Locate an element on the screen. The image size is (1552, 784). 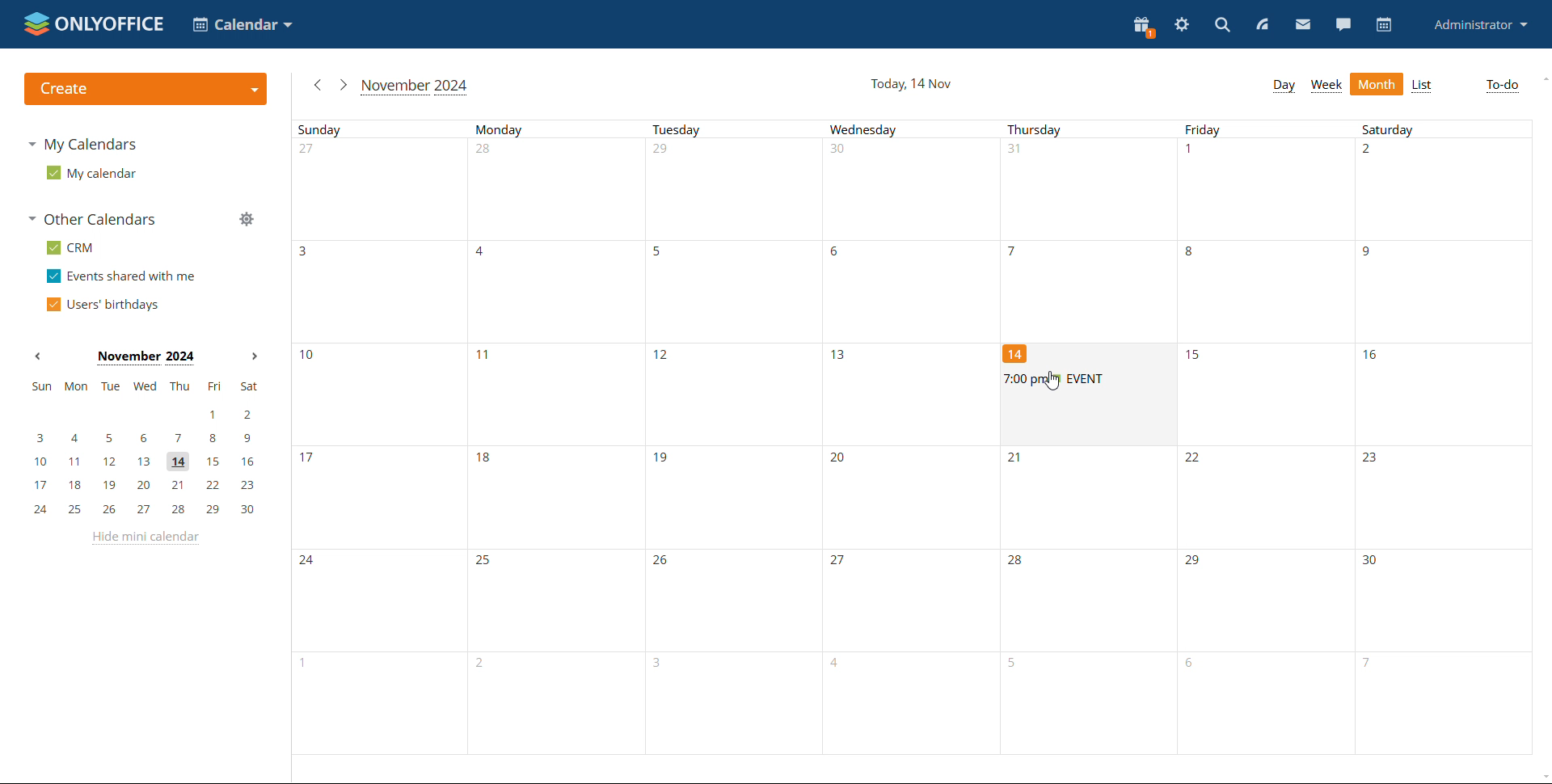
number is located at coordinates (840, 665).